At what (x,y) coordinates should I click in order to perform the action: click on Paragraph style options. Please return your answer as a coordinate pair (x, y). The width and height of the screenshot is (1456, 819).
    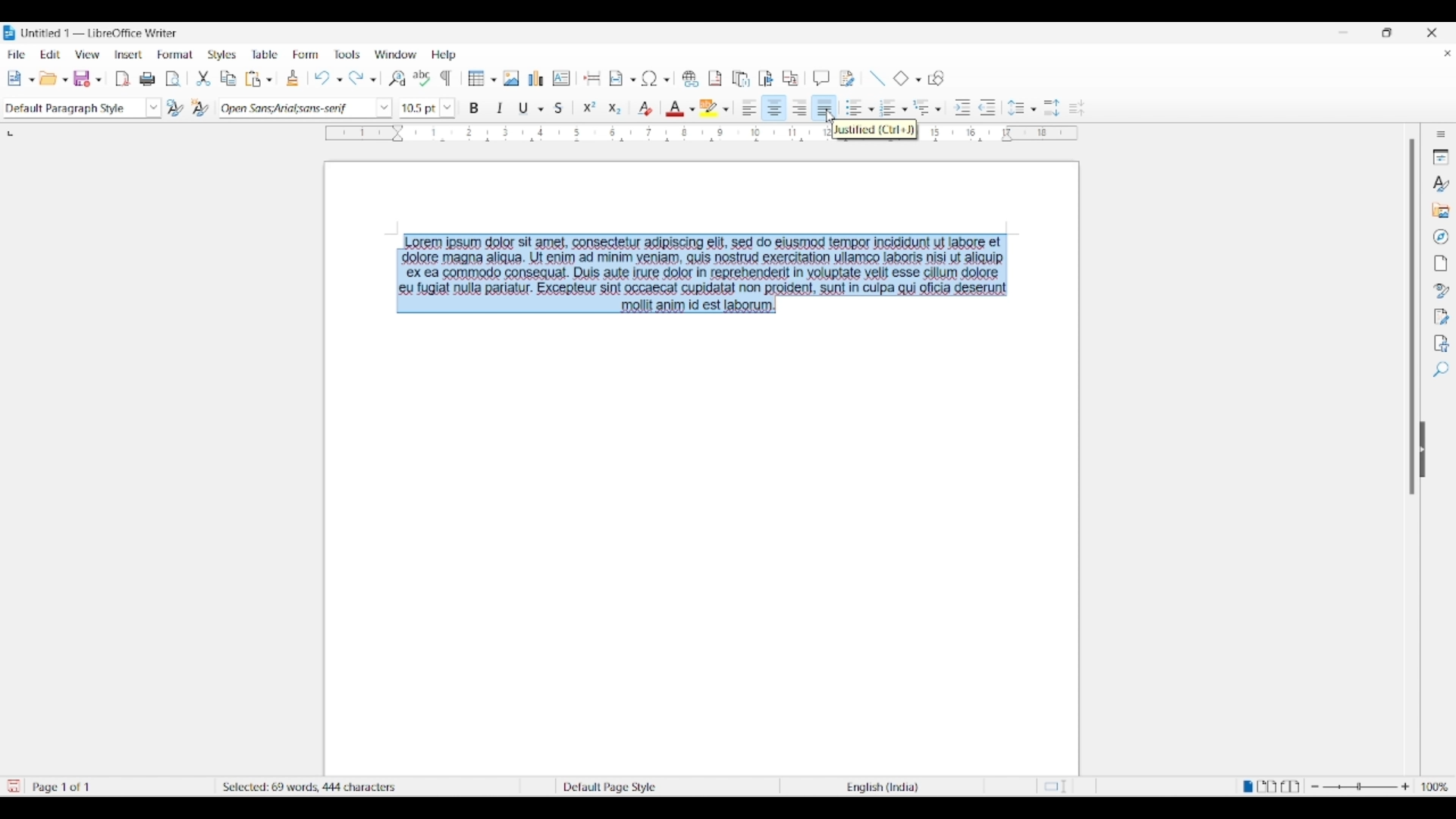
    Looking at the image, I should click on (154, 108).